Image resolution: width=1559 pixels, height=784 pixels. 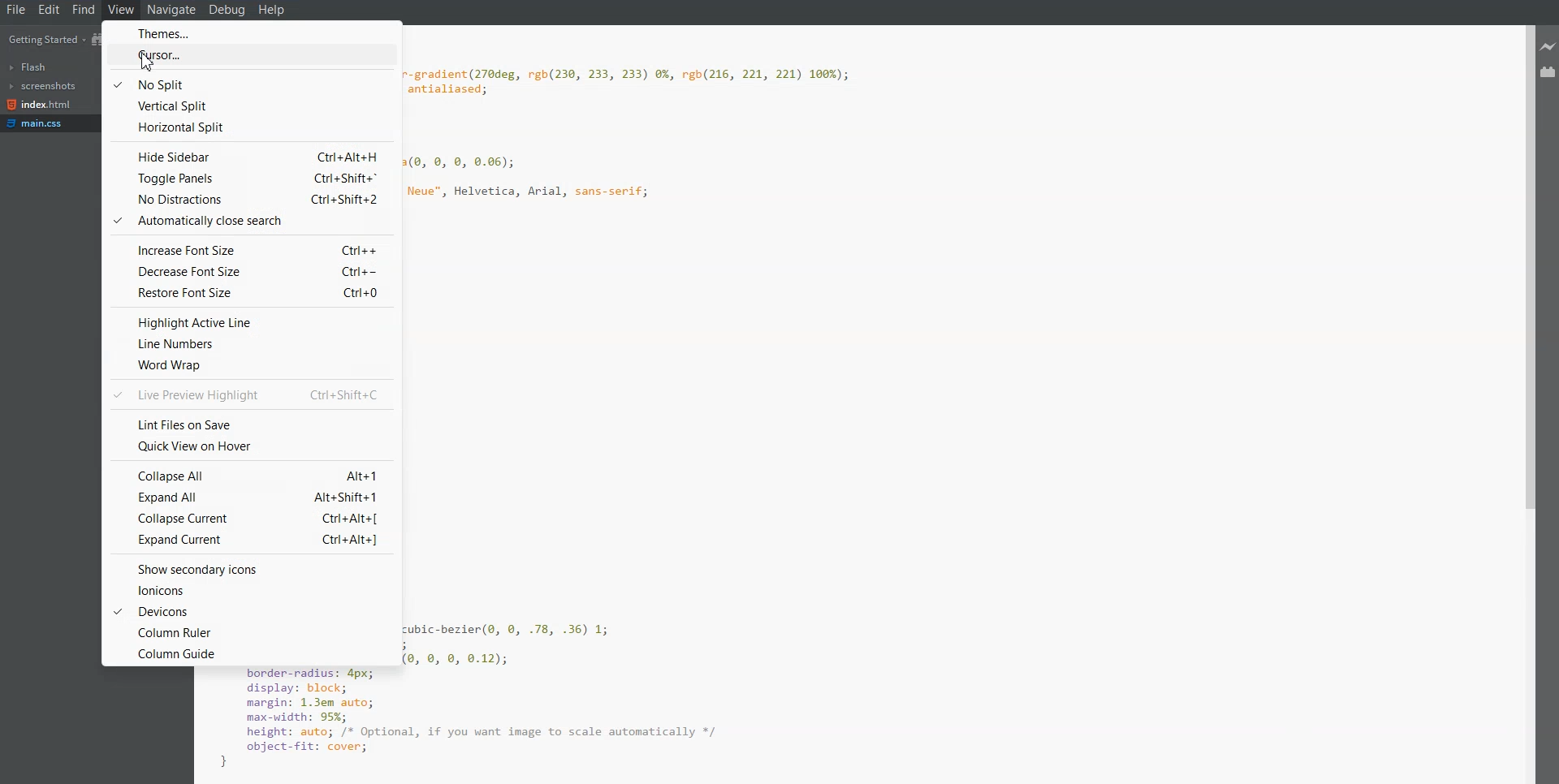 I want to click on Edit, so click(x=50, y=10).